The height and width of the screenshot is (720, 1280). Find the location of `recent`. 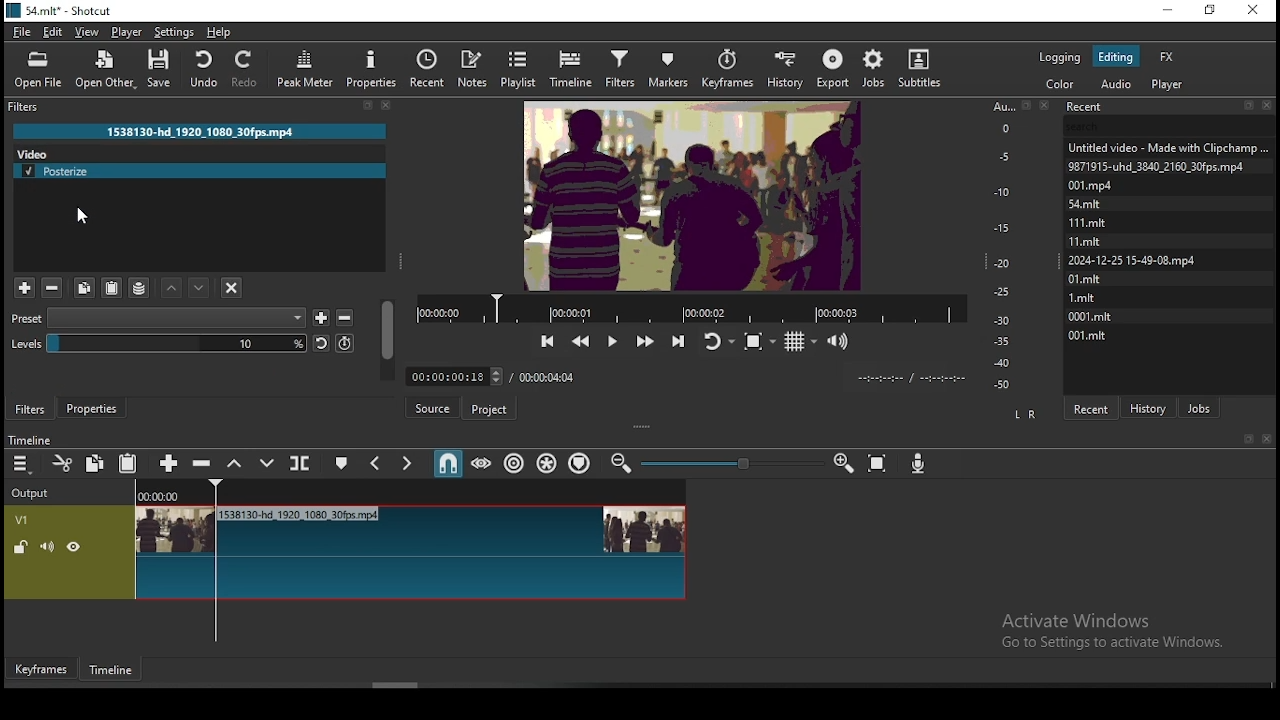

recent is located at coordinates (1170, 105).